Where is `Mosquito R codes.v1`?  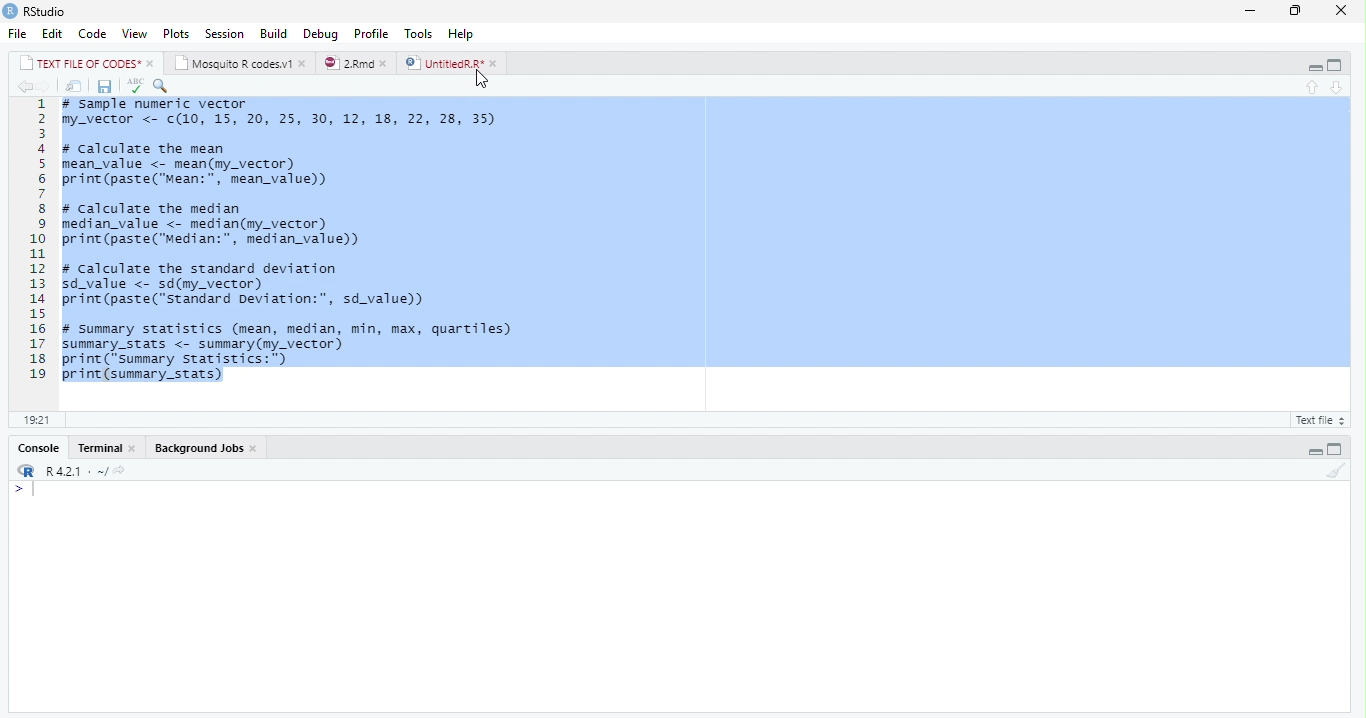 Mosquito R codes.v1 is located at coordinates (235, 64).